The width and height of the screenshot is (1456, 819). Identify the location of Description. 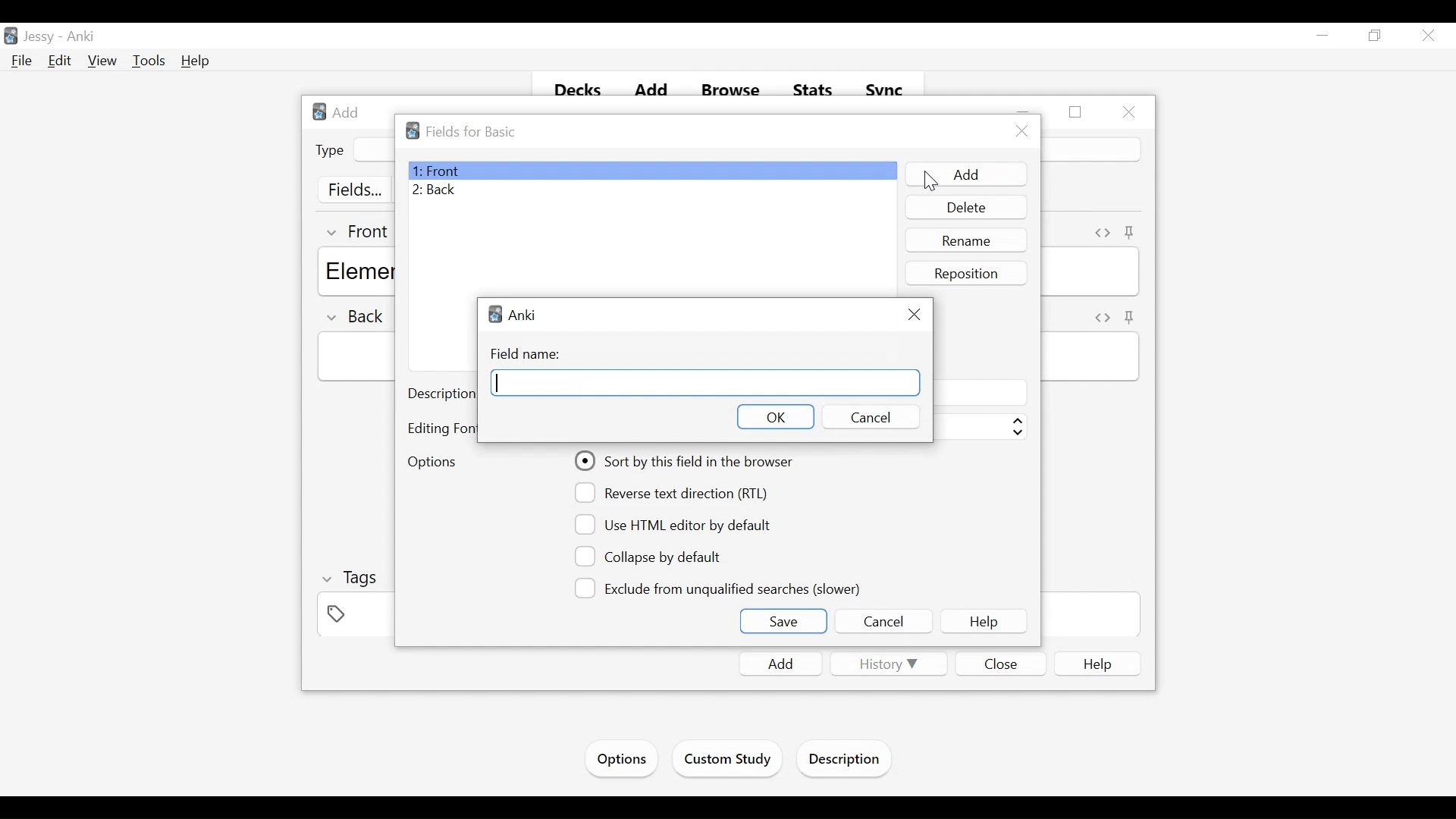
(848, 761).